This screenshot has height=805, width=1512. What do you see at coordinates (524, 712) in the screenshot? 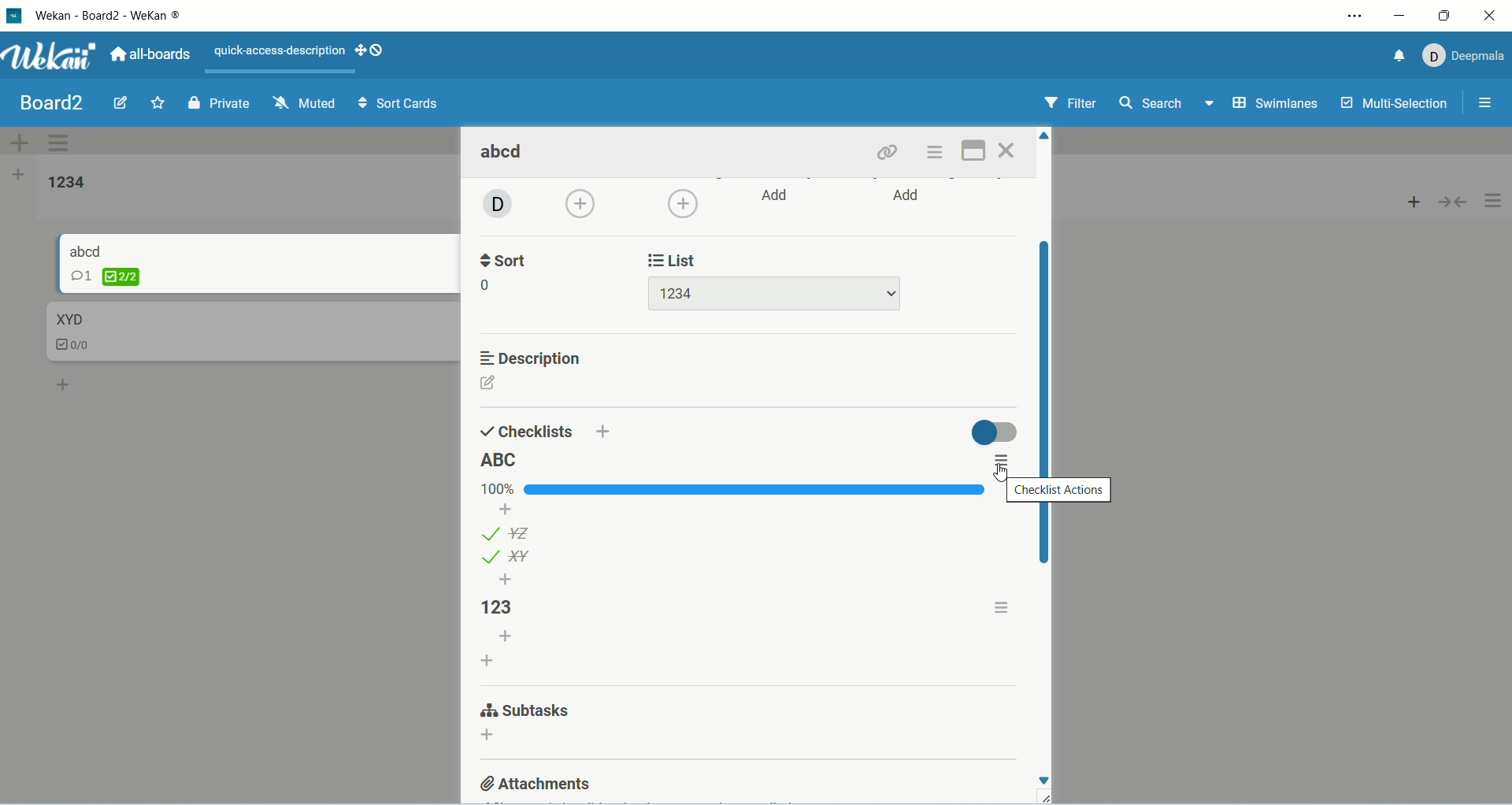
I see `subtasks` at bounding box center [524, 712].